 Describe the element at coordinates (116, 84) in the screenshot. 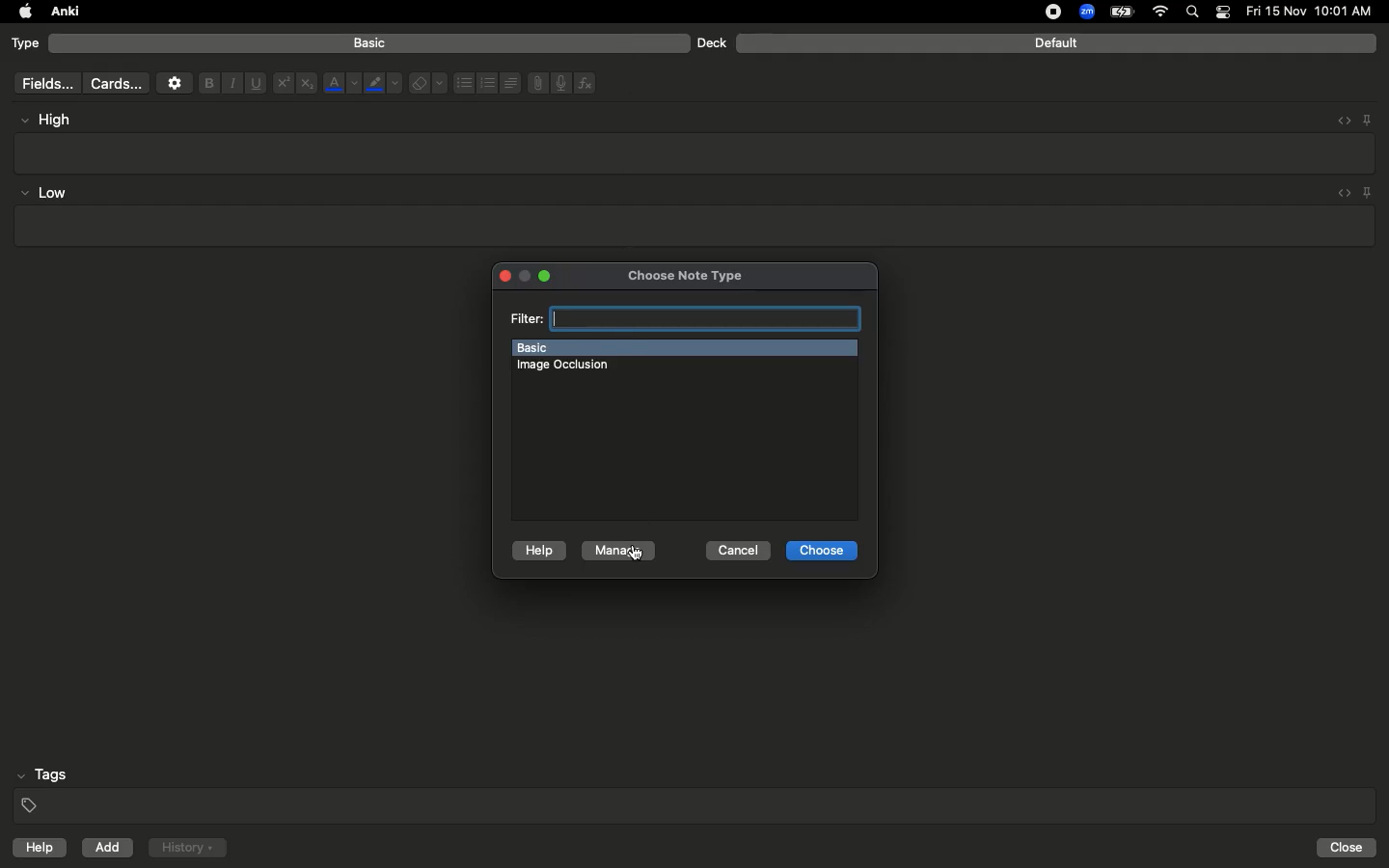

I see `Cards` at that location.